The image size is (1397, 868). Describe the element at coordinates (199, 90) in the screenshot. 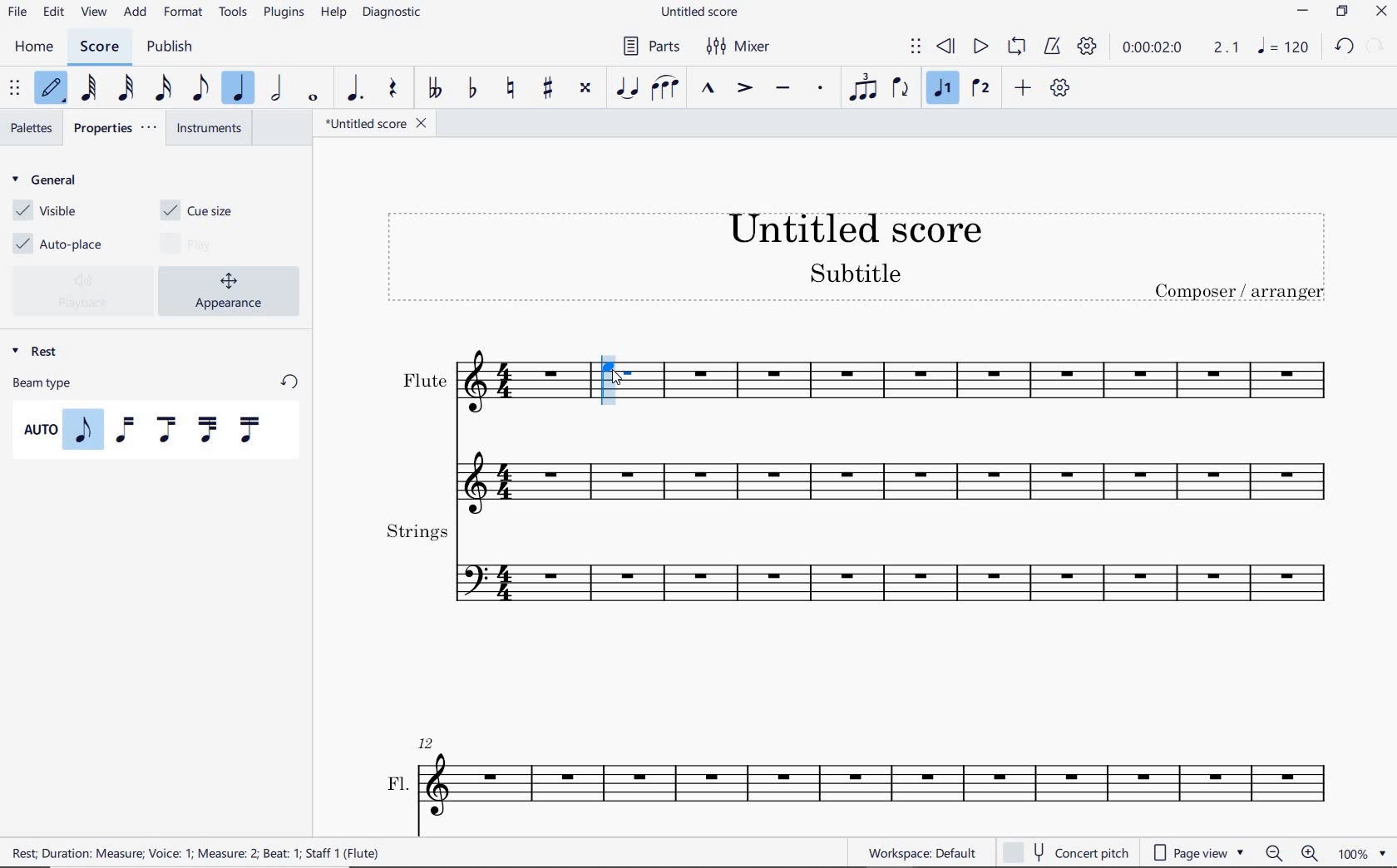

I see `EIGHTH NOTE` at that location.